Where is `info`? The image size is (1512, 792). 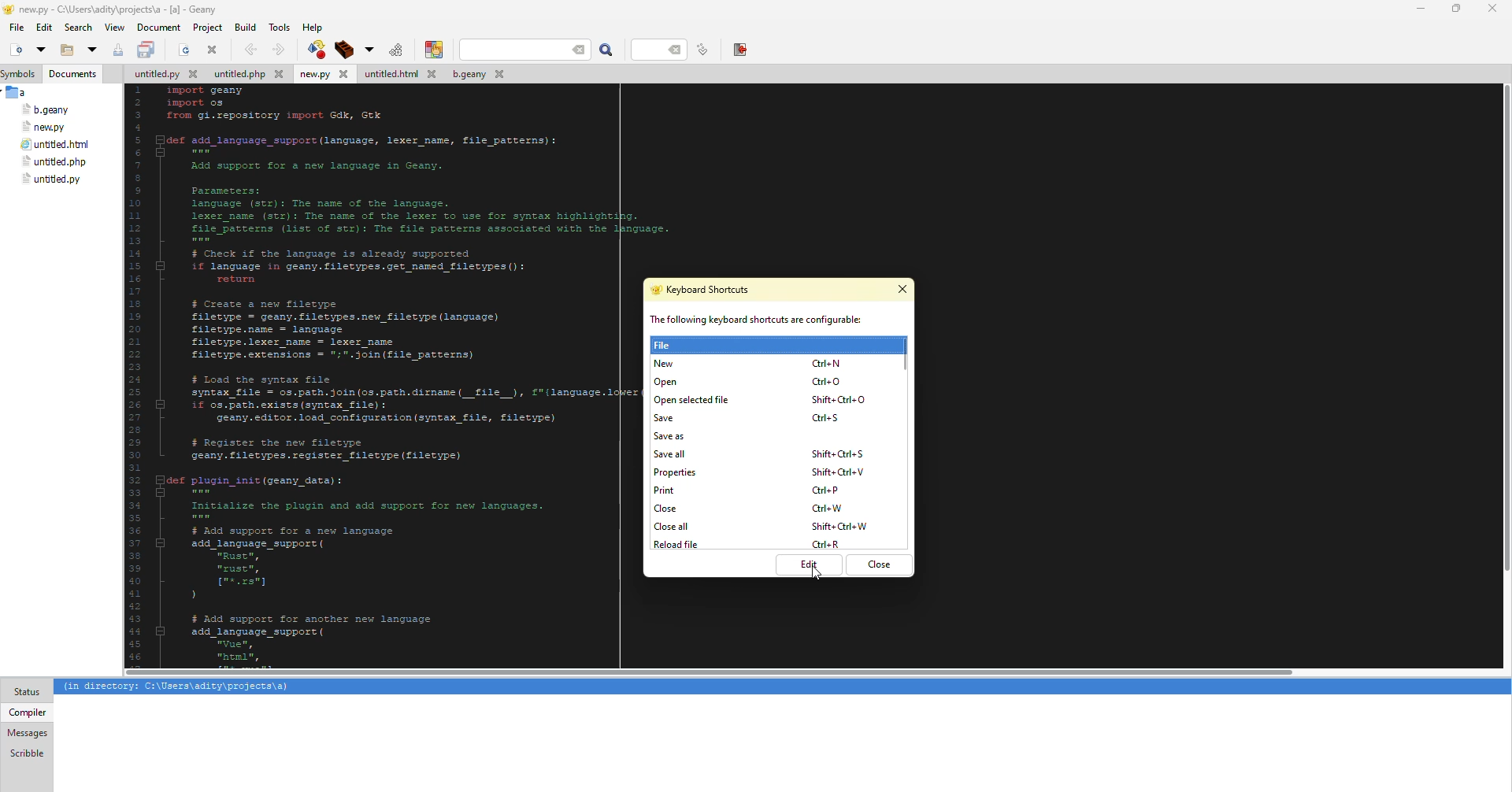
info is located at coordinates (177, 687).